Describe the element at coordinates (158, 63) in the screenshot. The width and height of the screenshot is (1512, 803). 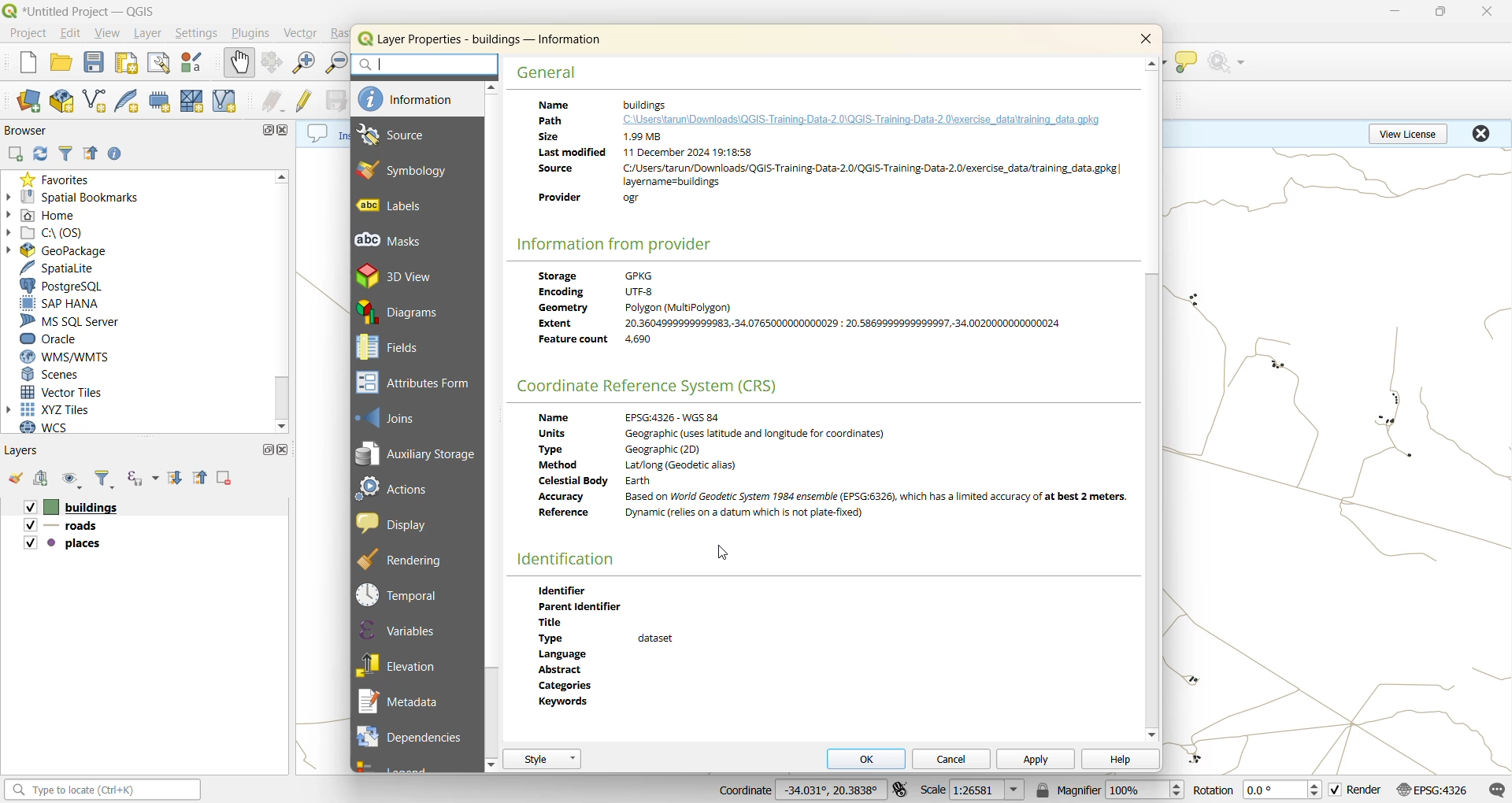
I see `show layout` at that location.